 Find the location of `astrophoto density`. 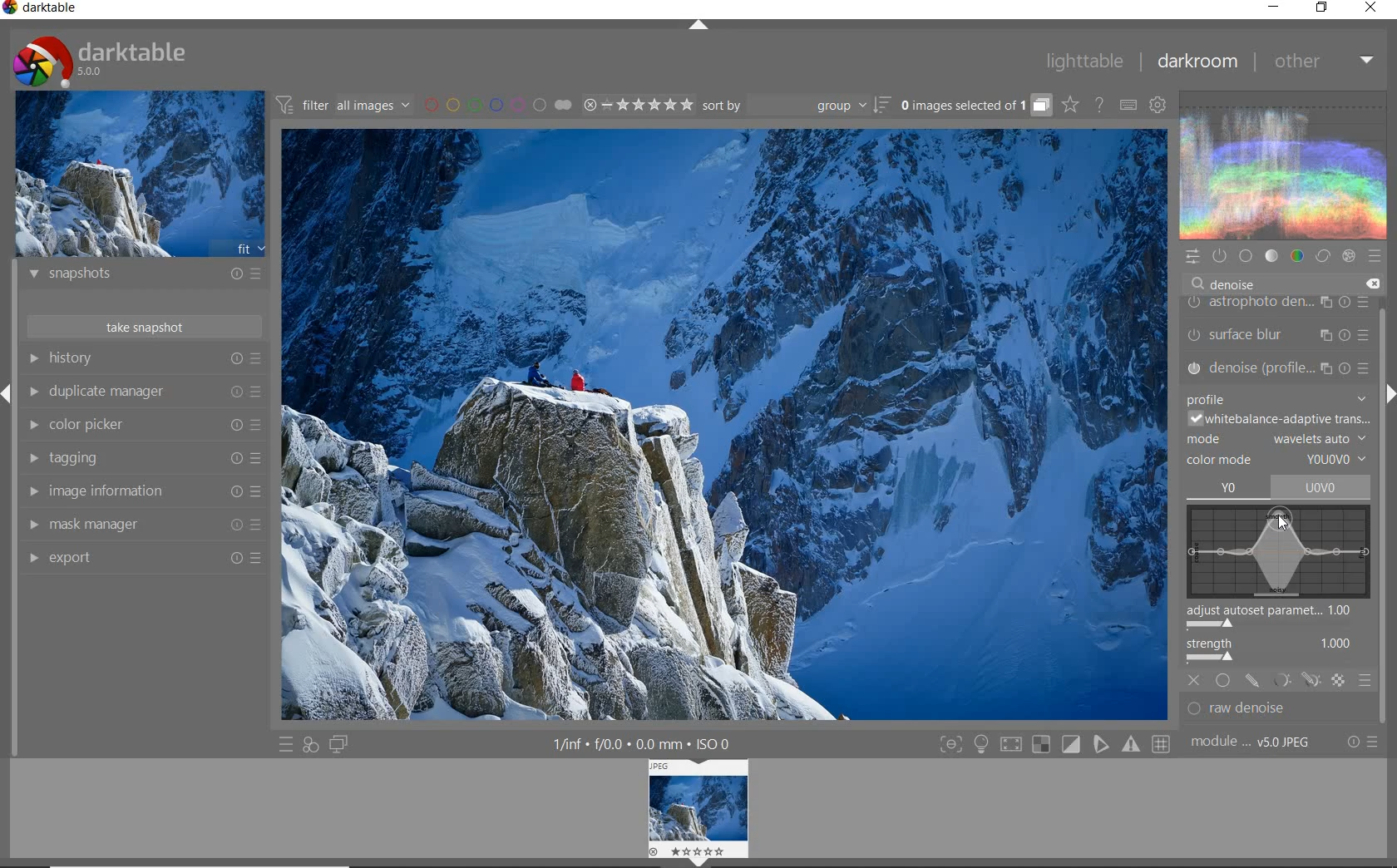

astrophoto density is located at coordinates (1278, 305).